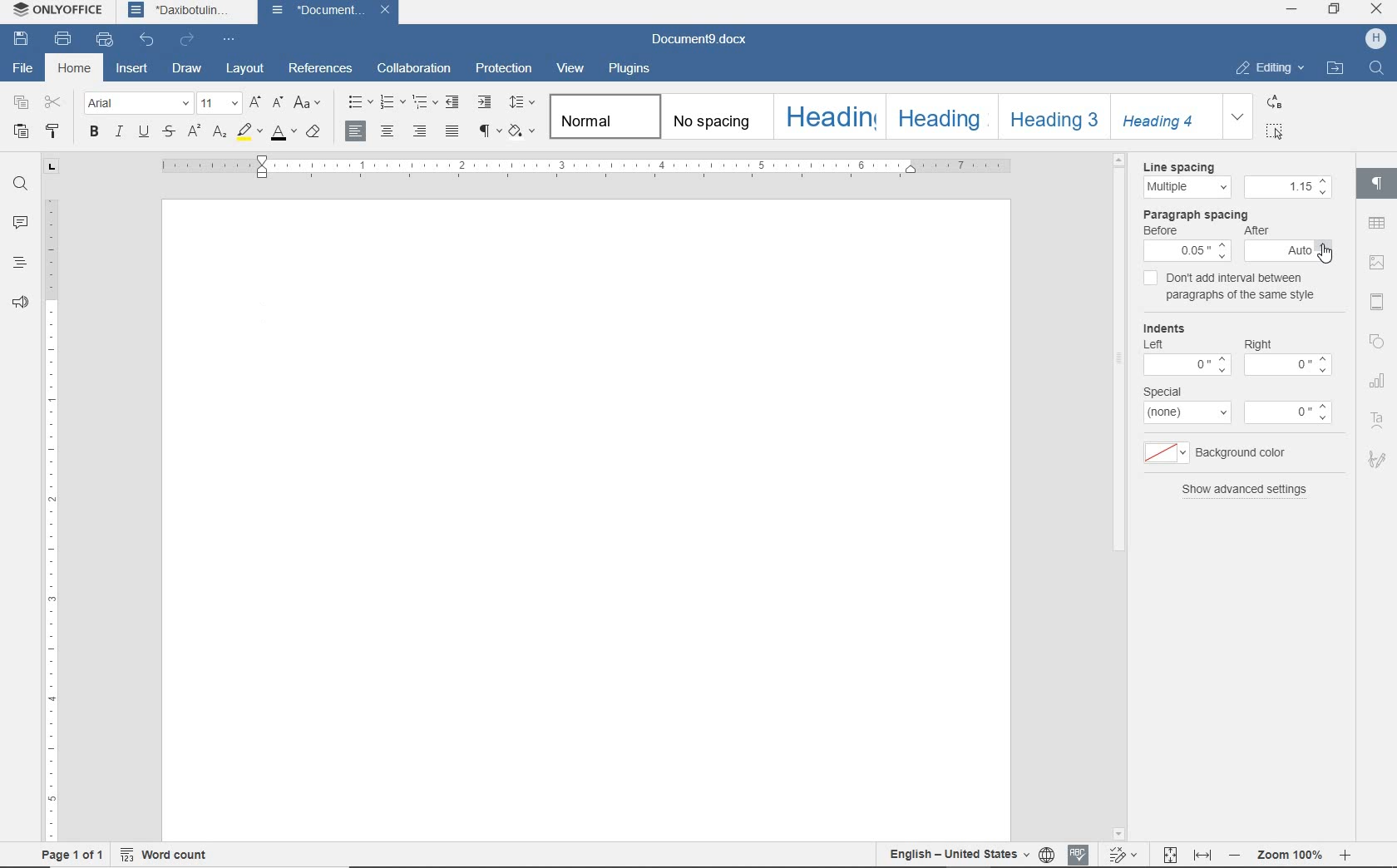 The height and width of the screenshot is (868, 1397). Describe the element at coordinates (1288, 187) in the screenshot. I see `spacing` at that location.